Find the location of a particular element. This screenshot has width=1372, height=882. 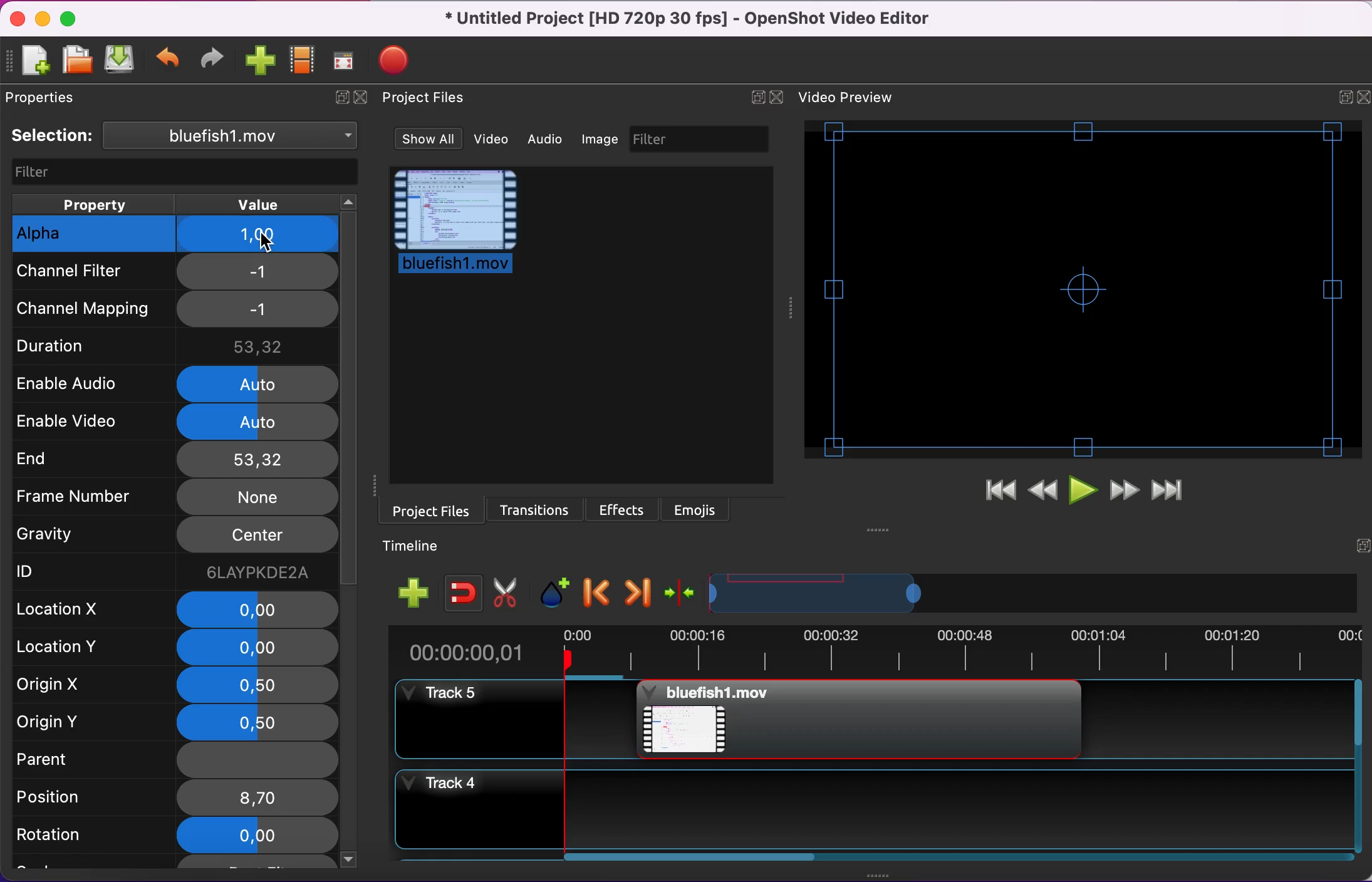

emojis is located at coordinates (697, 508).